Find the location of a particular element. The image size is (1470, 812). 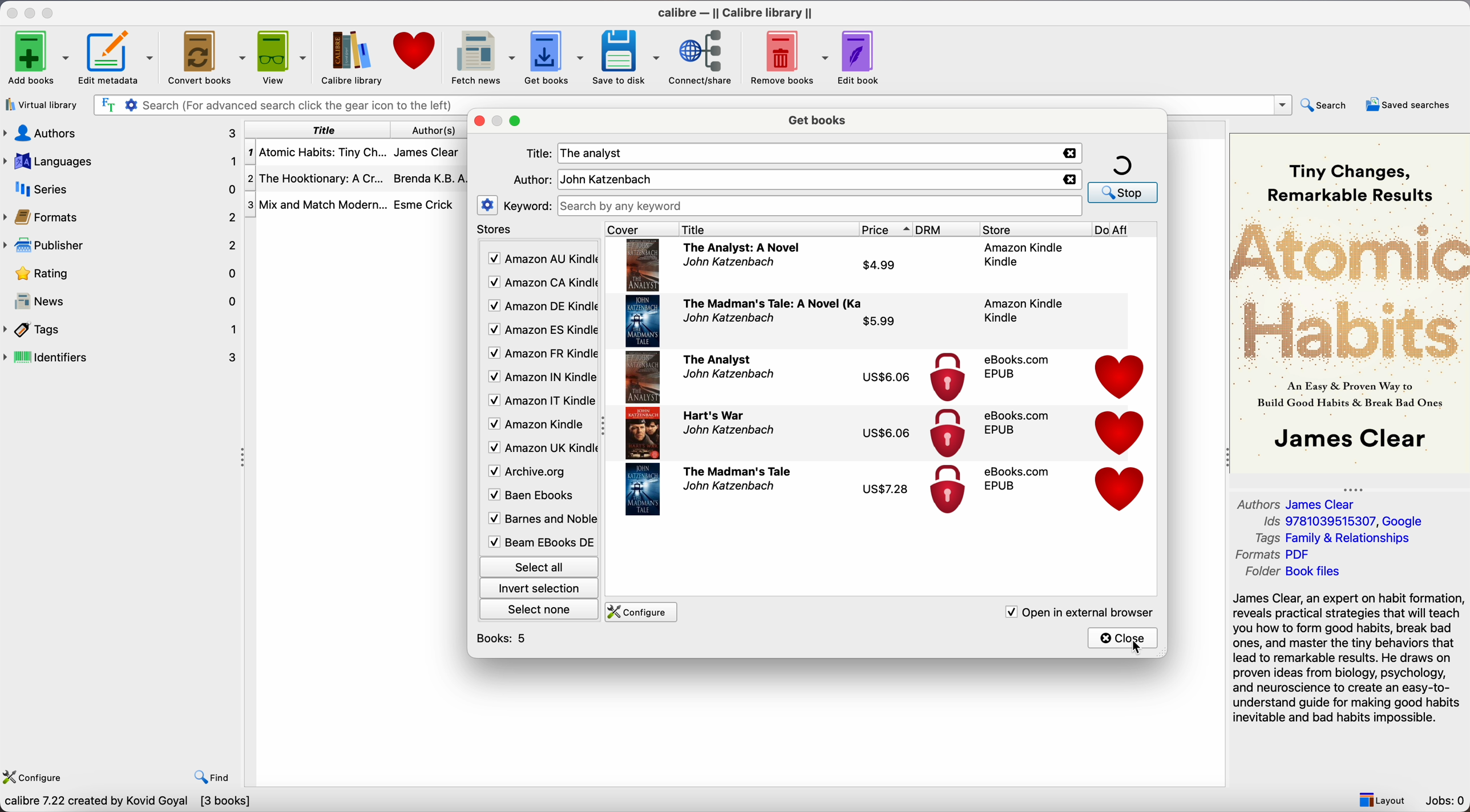

loading icon is located at coordinates (1122, 164).